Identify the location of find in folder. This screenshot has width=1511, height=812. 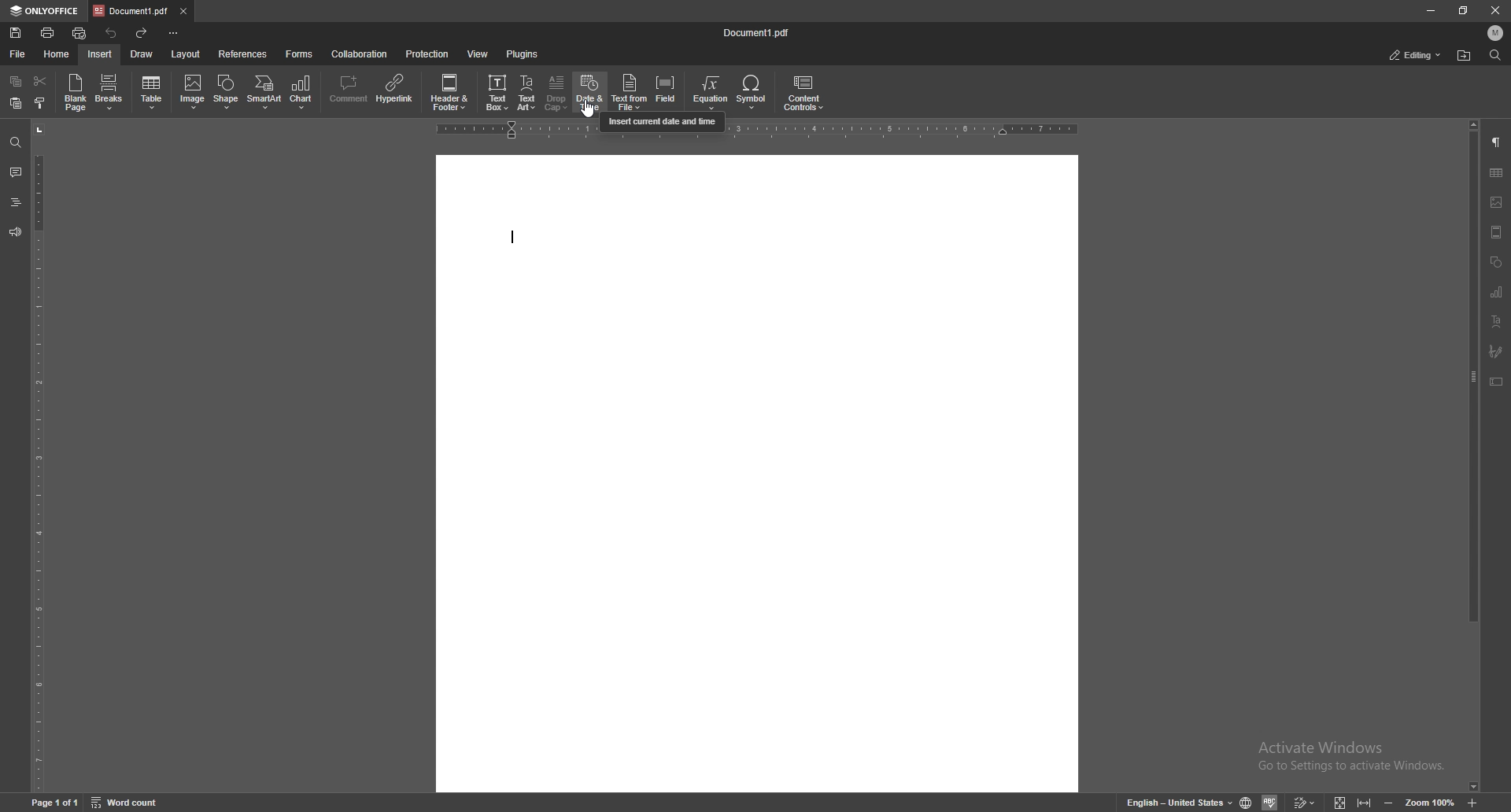
(1464, 56).